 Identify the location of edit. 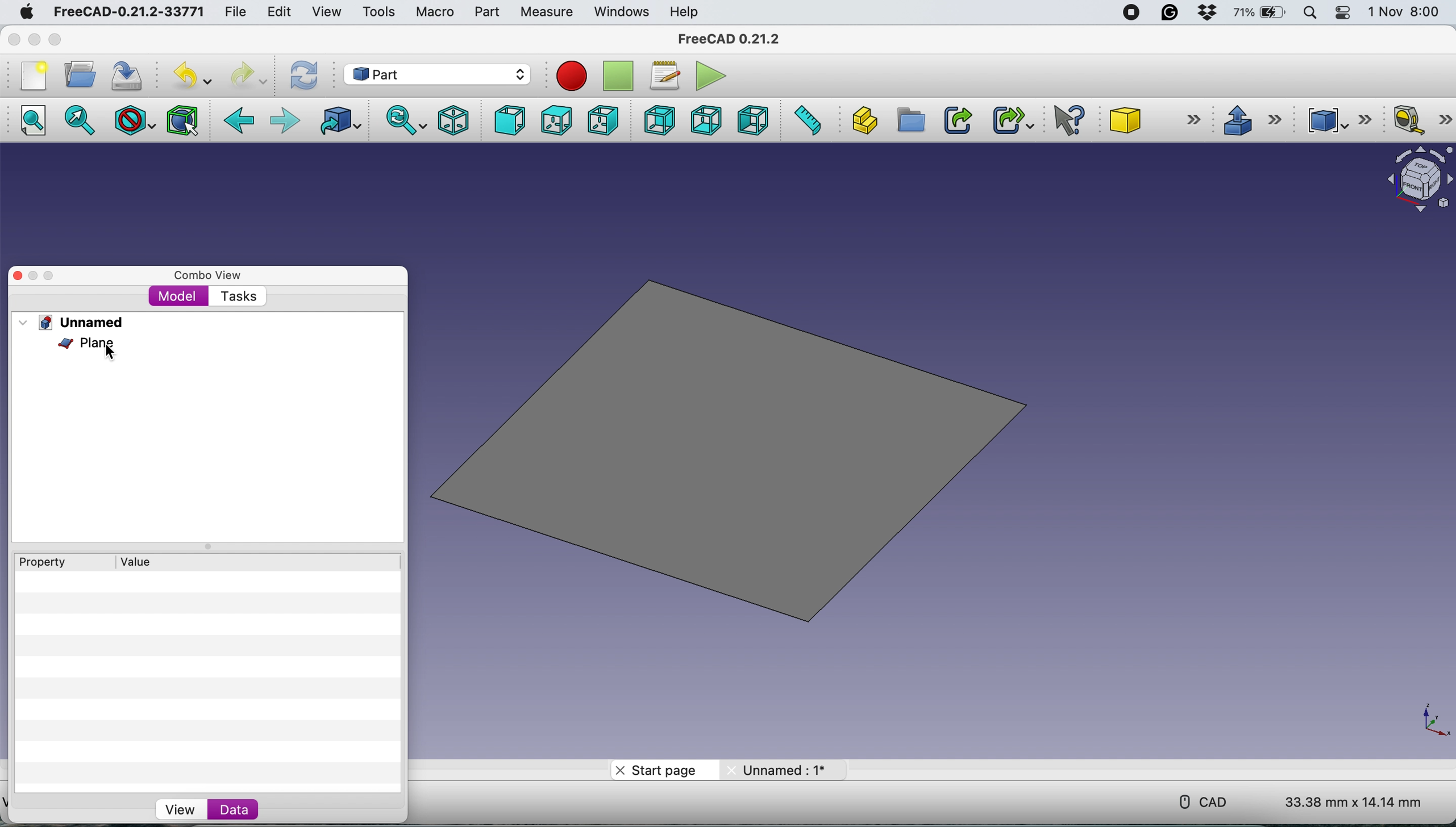
(281, 13).